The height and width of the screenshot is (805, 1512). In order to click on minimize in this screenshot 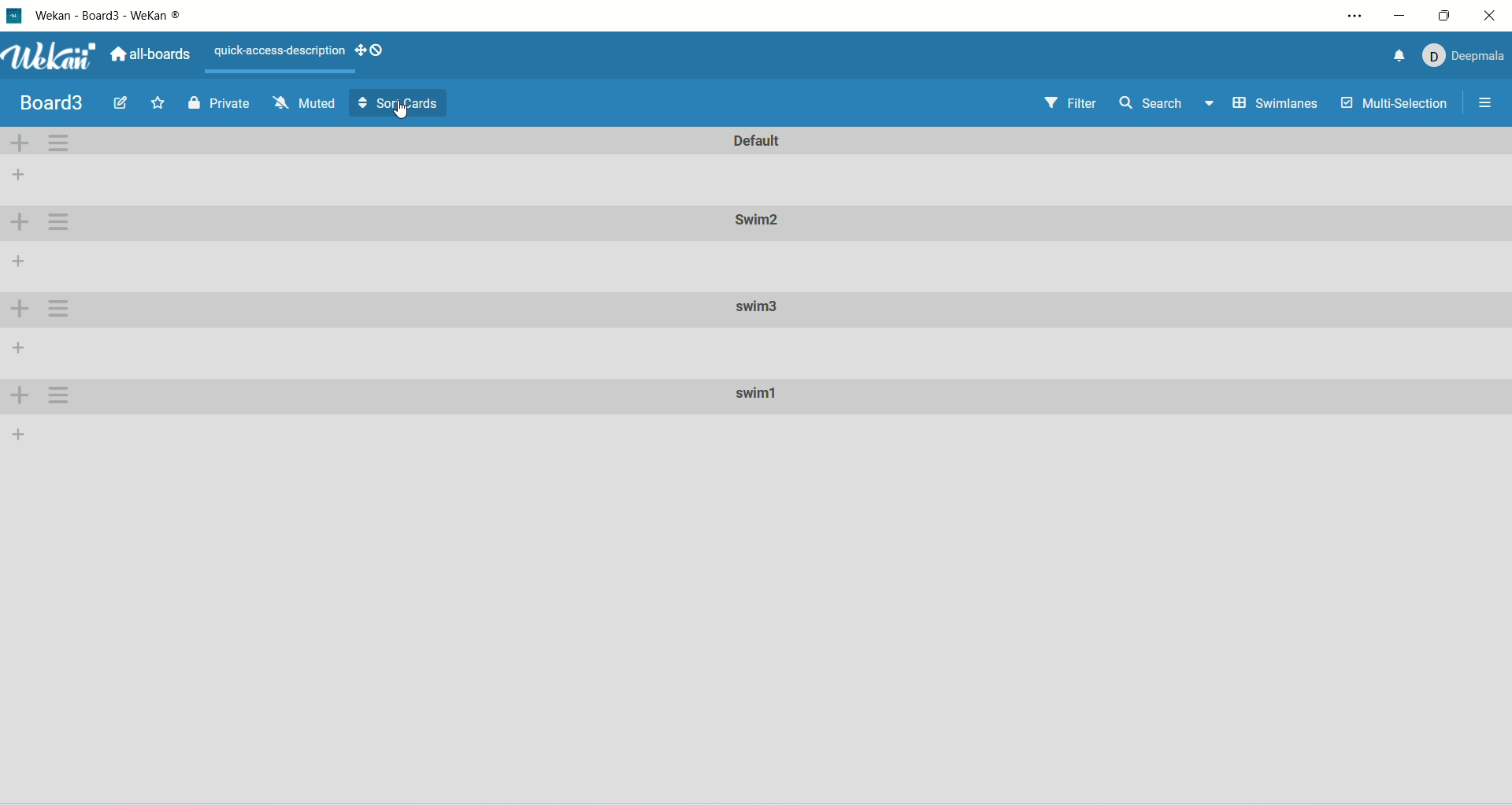, I will do `click(1405, 15)`.